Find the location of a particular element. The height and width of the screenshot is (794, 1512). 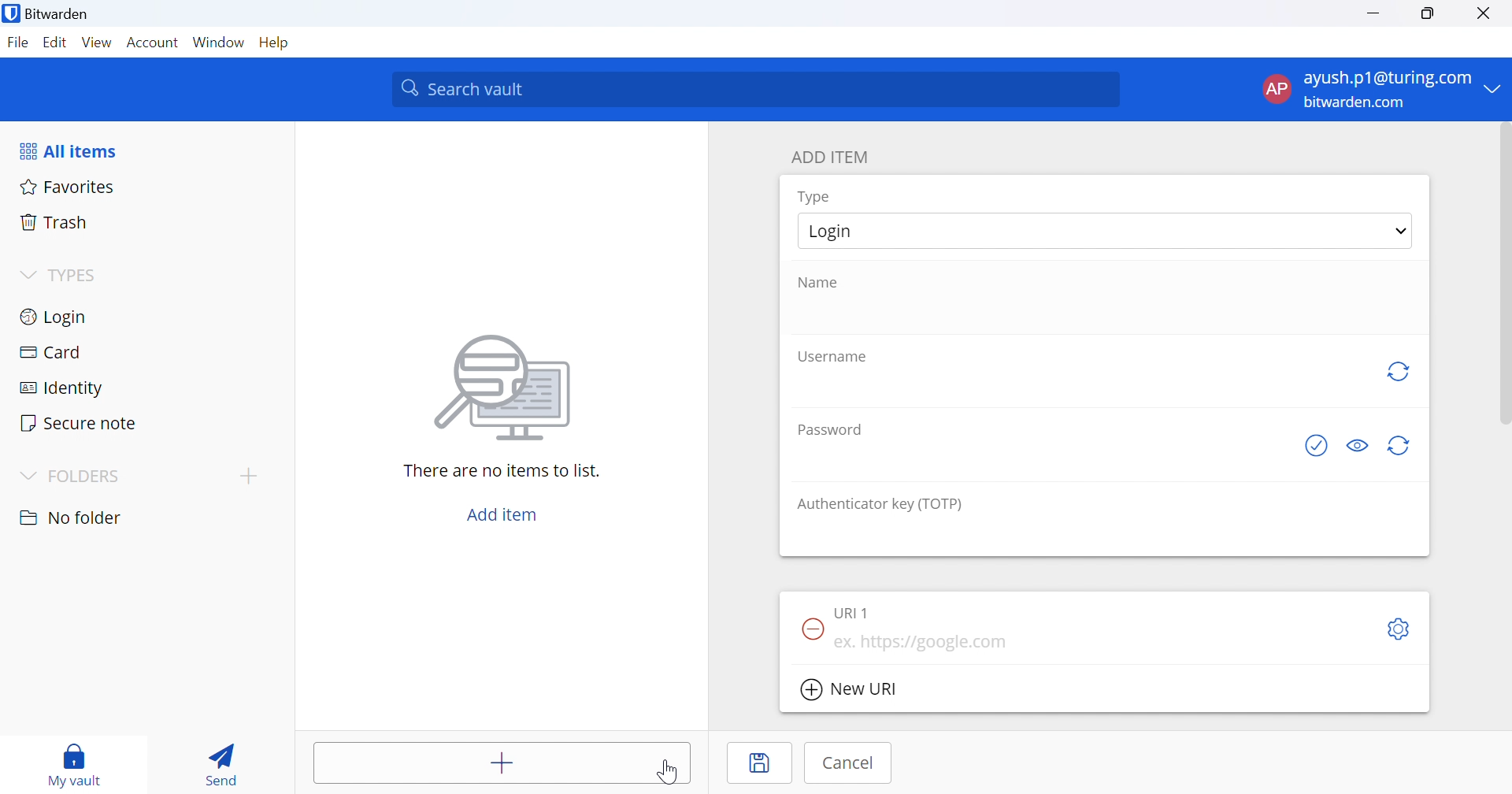

Username is located at coordinates (834, 357).